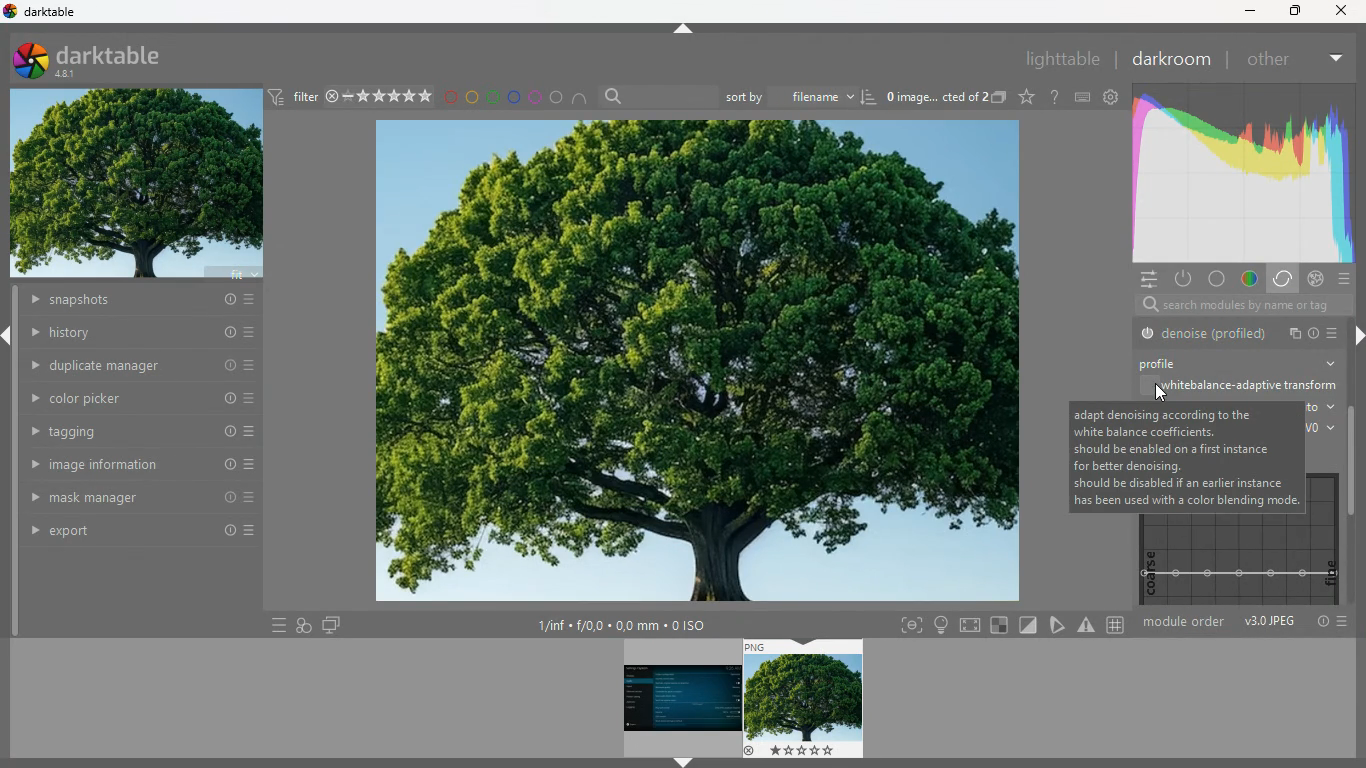 The image size is (1366, 768). What do you see at coordinates (535, 97) in the screenshot?
I see `pink` at bounding box center [535, 97].